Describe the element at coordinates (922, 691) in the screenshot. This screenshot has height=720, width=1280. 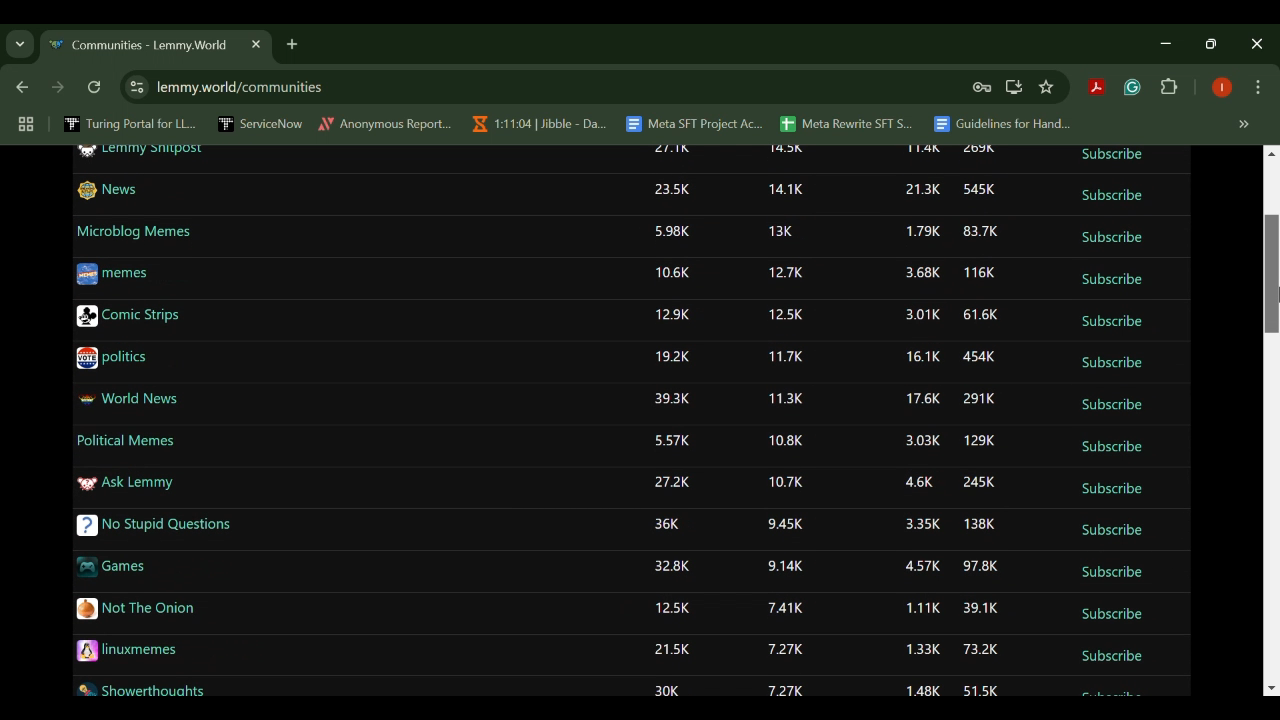
I see `1.48K` at that location.